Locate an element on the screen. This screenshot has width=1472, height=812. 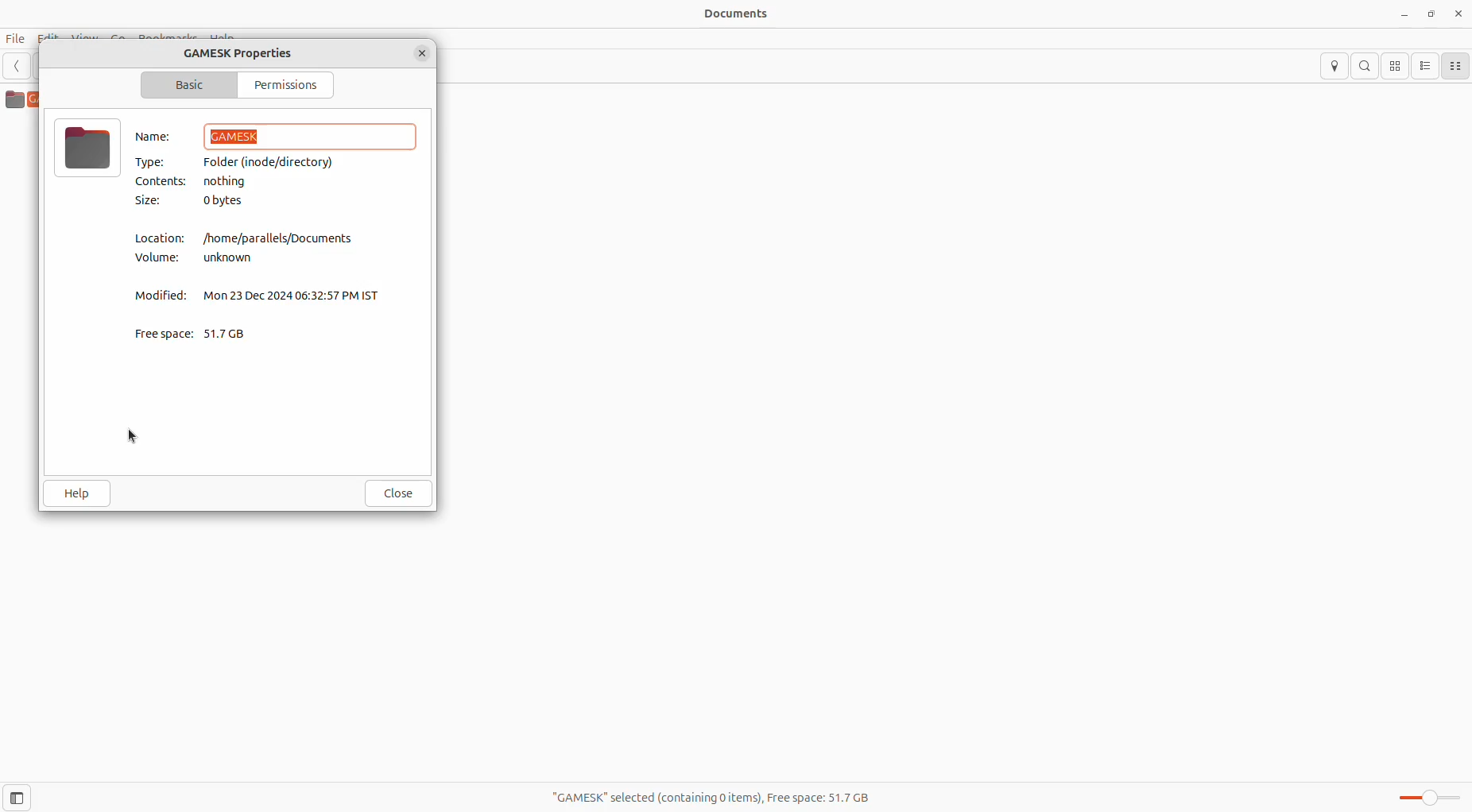
Volume: is located at coordinates (158, 261).